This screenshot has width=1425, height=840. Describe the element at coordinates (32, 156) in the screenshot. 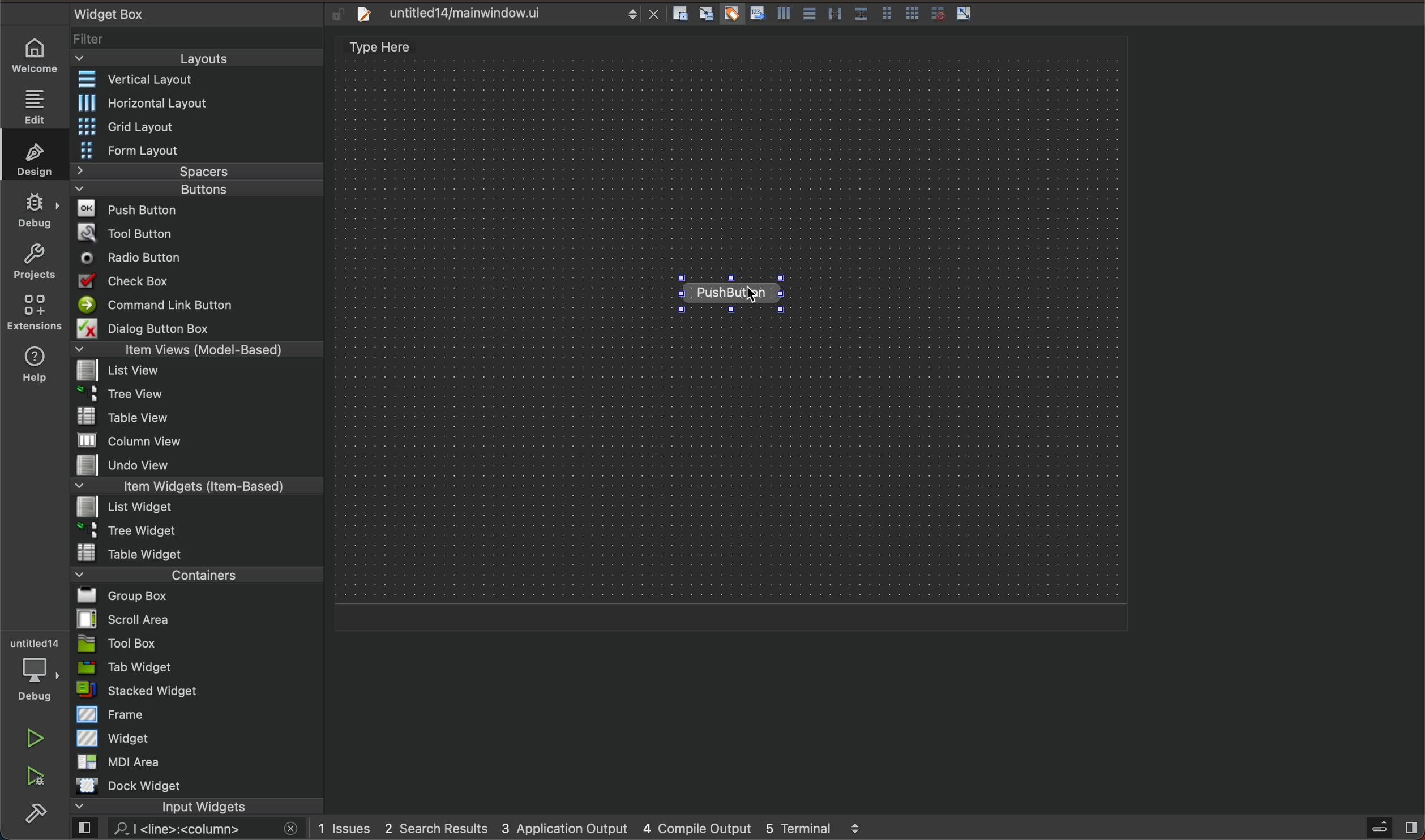

I see `DESIGN` at that location.